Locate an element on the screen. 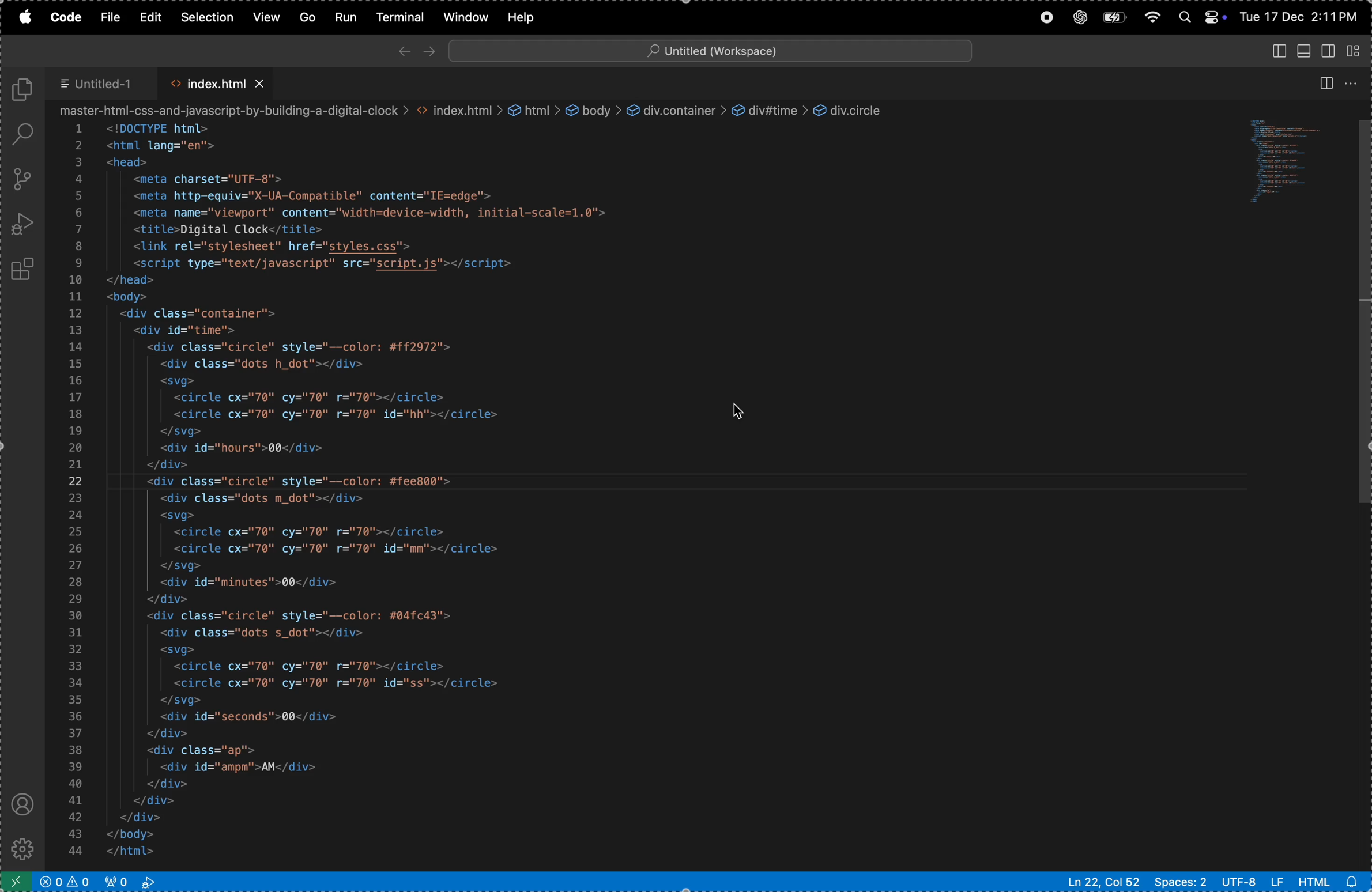  edit is located at coordinates (151, 17).